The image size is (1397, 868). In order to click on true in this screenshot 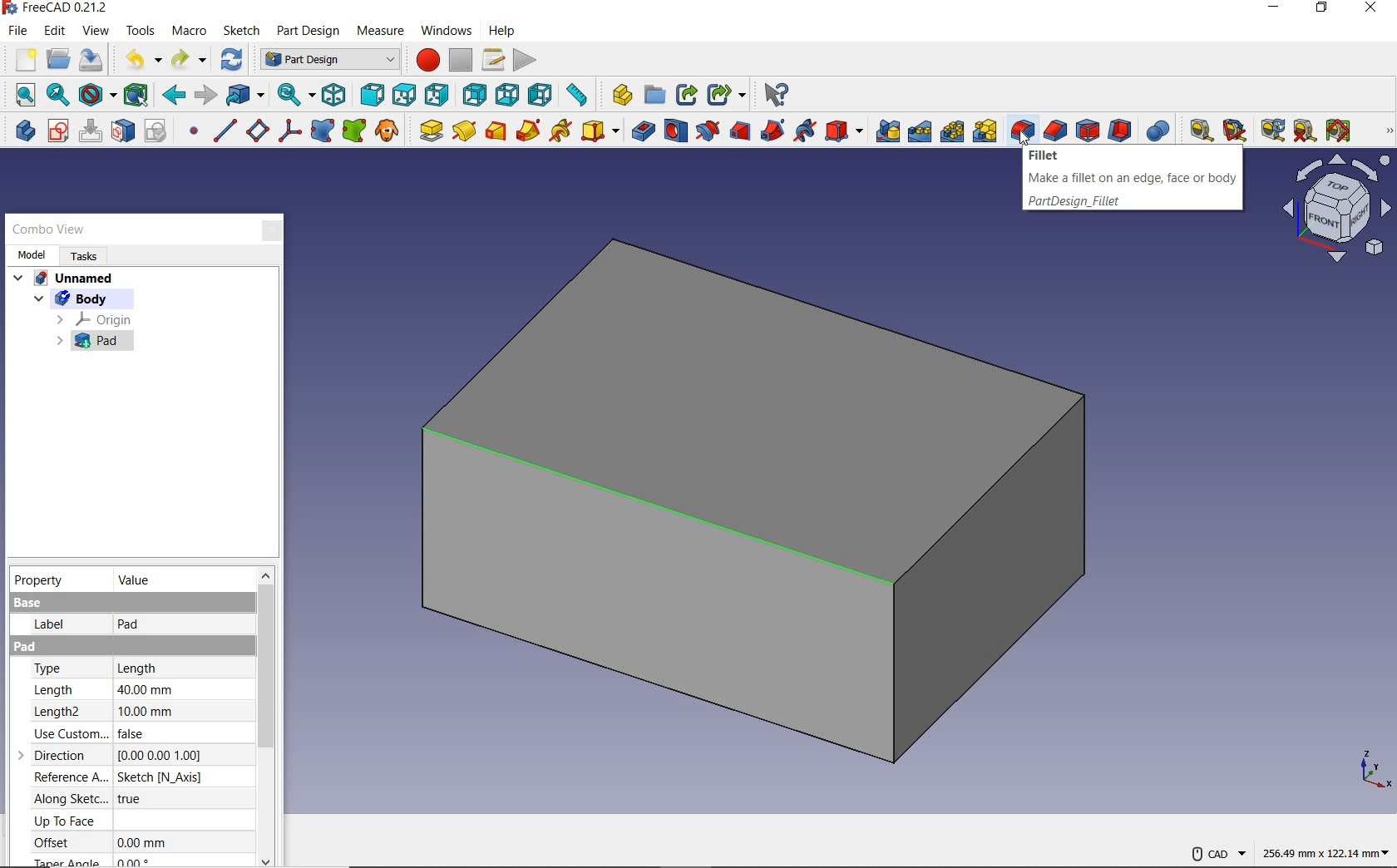, I will do `click(129, 799)`.